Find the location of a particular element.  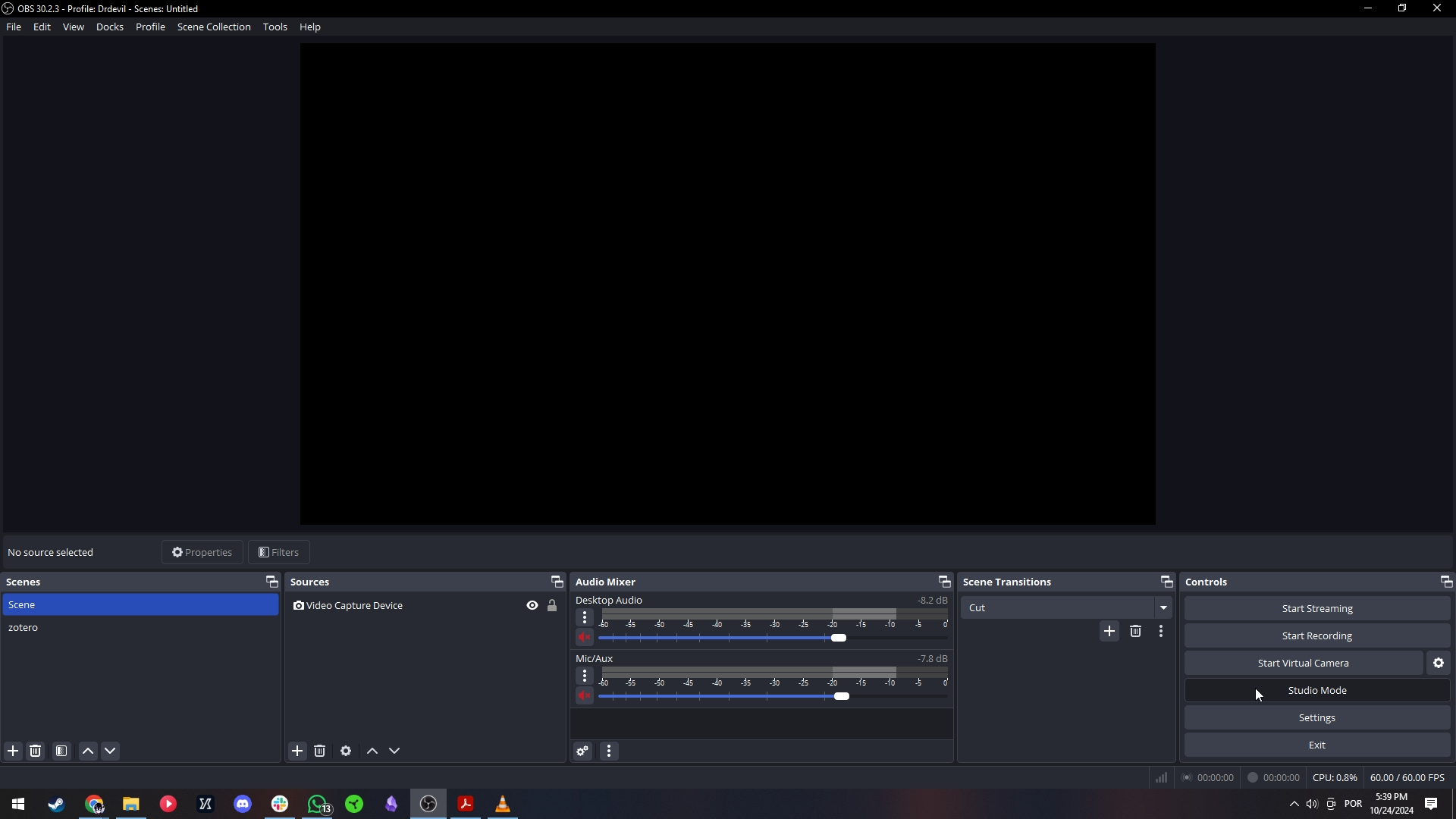

language is located at coordinates (1354, 806).